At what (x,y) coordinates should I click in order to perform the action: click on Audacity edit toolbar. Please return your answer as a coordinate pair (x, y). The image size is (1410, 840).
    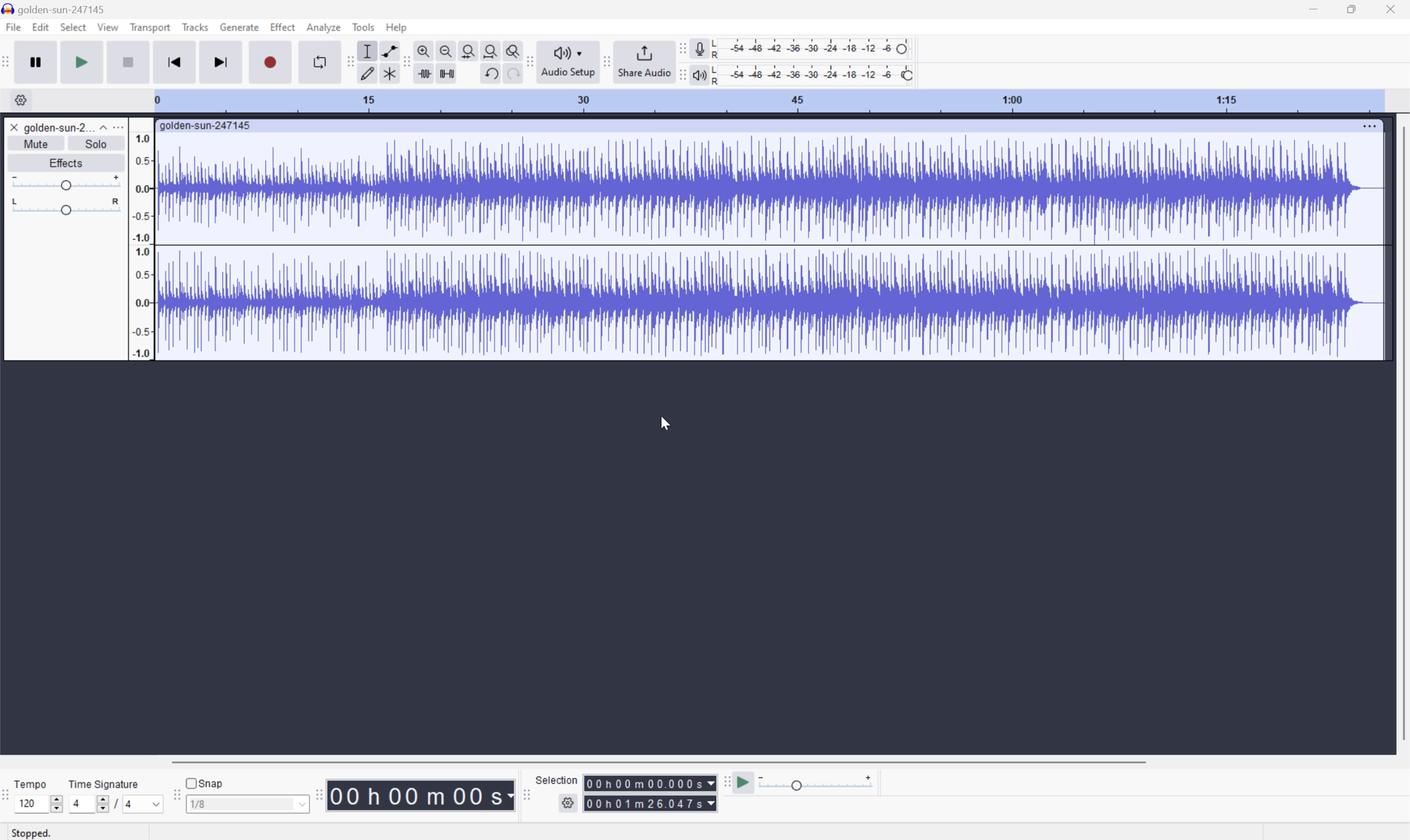
    Looking at the image, I should click on (407, 63).